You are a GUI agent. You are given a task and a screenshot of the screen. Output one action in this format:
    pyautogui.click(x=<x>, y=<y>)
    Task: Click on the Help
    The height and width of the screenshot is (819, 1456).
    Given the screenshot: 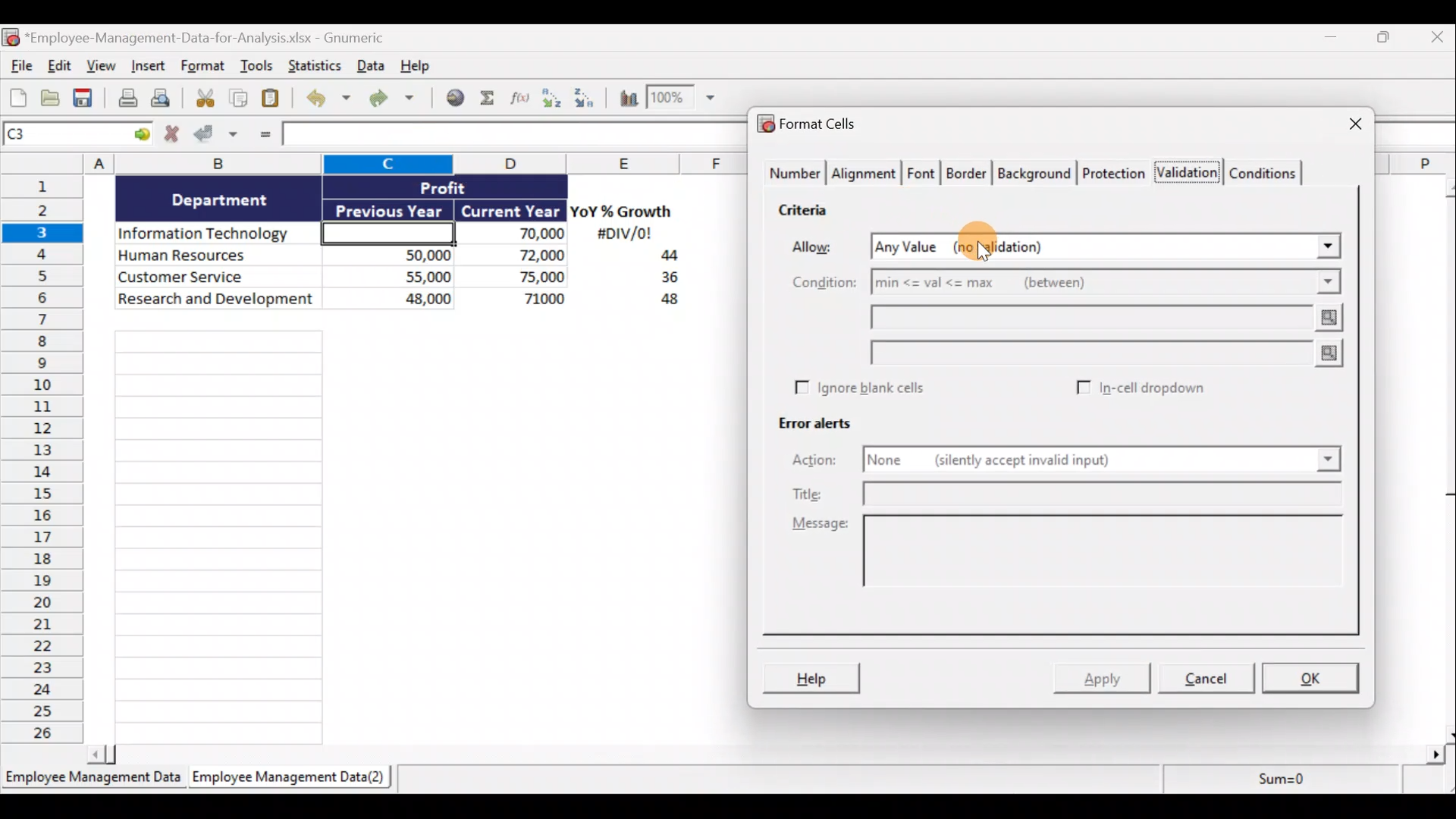 What is the action you would take?
    pyautogui.click(x=420, y=64)
    